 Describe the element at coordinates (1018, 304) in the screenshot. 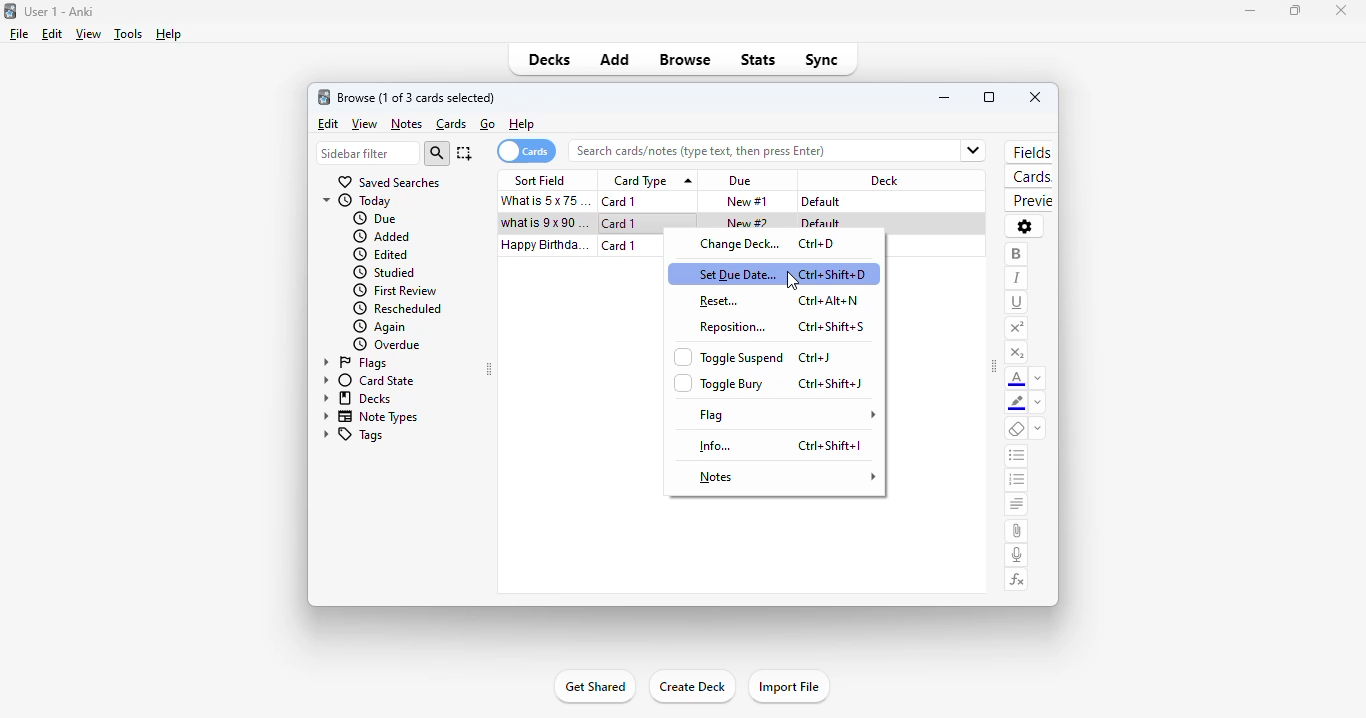

I see `underline` at that location.